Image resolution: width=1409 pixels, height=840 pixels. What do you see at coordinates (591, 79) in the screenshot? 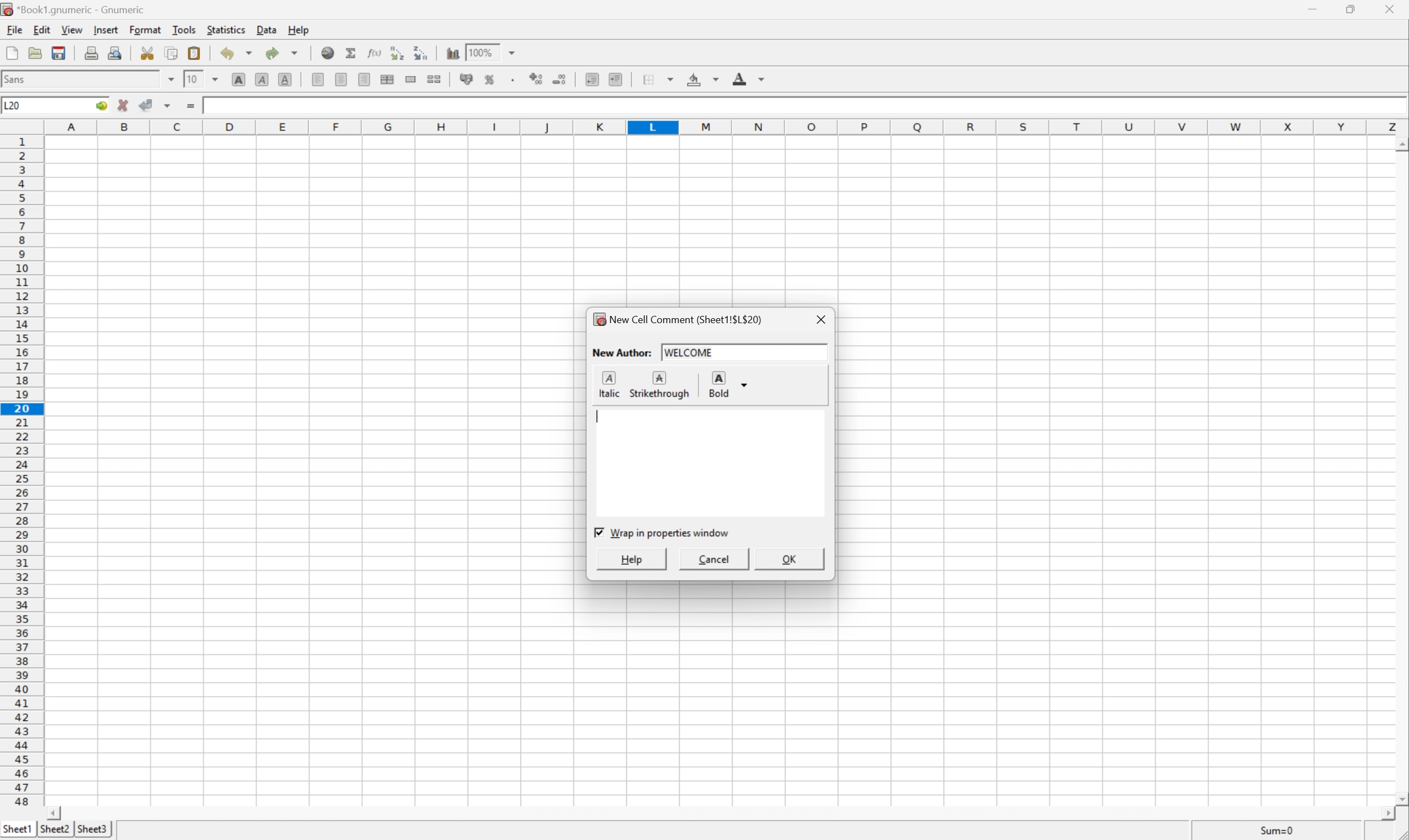
I see `Decrease indent, and align the contents to the left` at bounding box center [591, 79].